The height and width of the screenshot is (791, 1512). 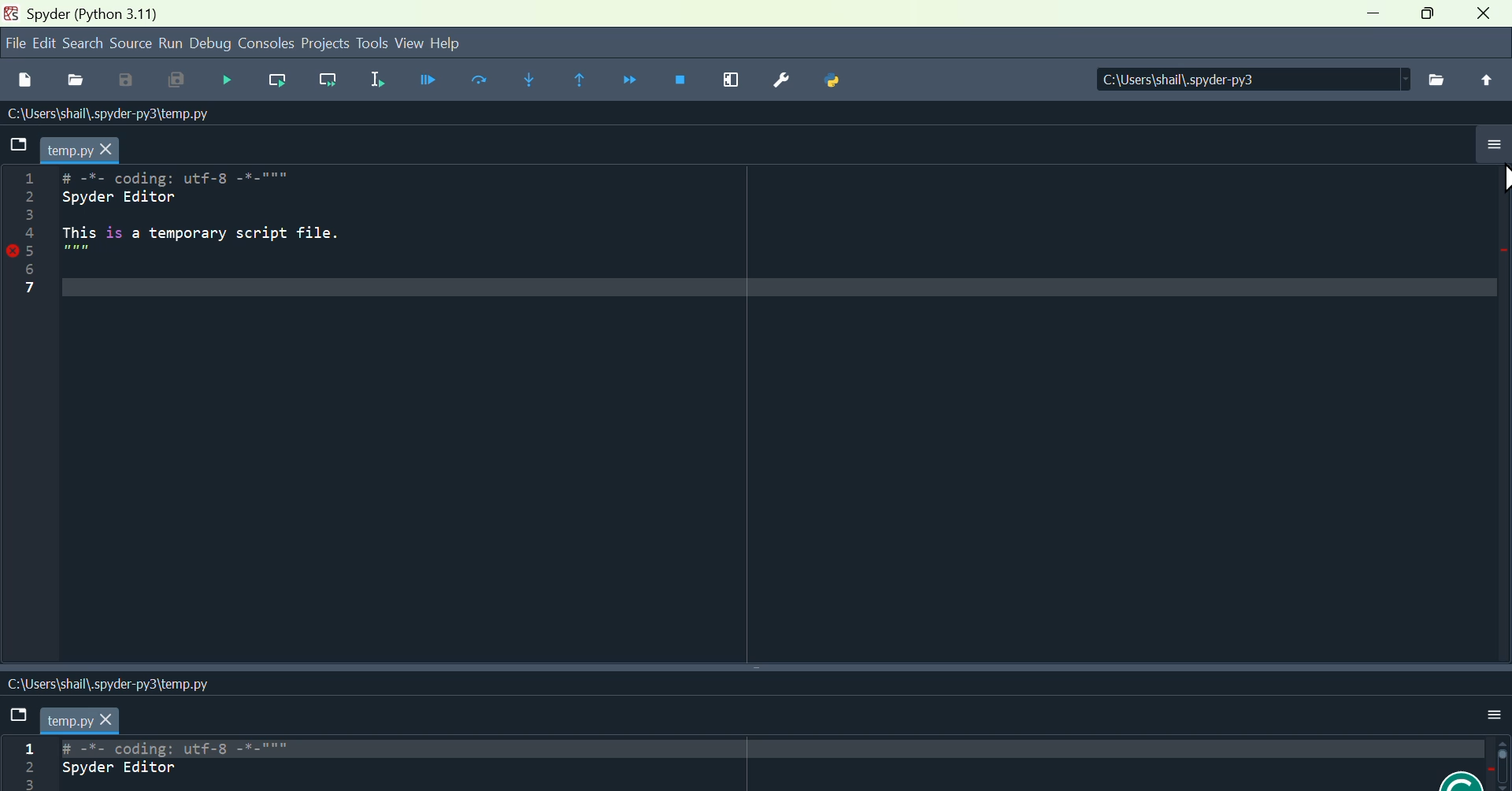 What do you see at coordinates (80, 82) in the screenshot?
I see `open file` at bounding box center [80, 82].